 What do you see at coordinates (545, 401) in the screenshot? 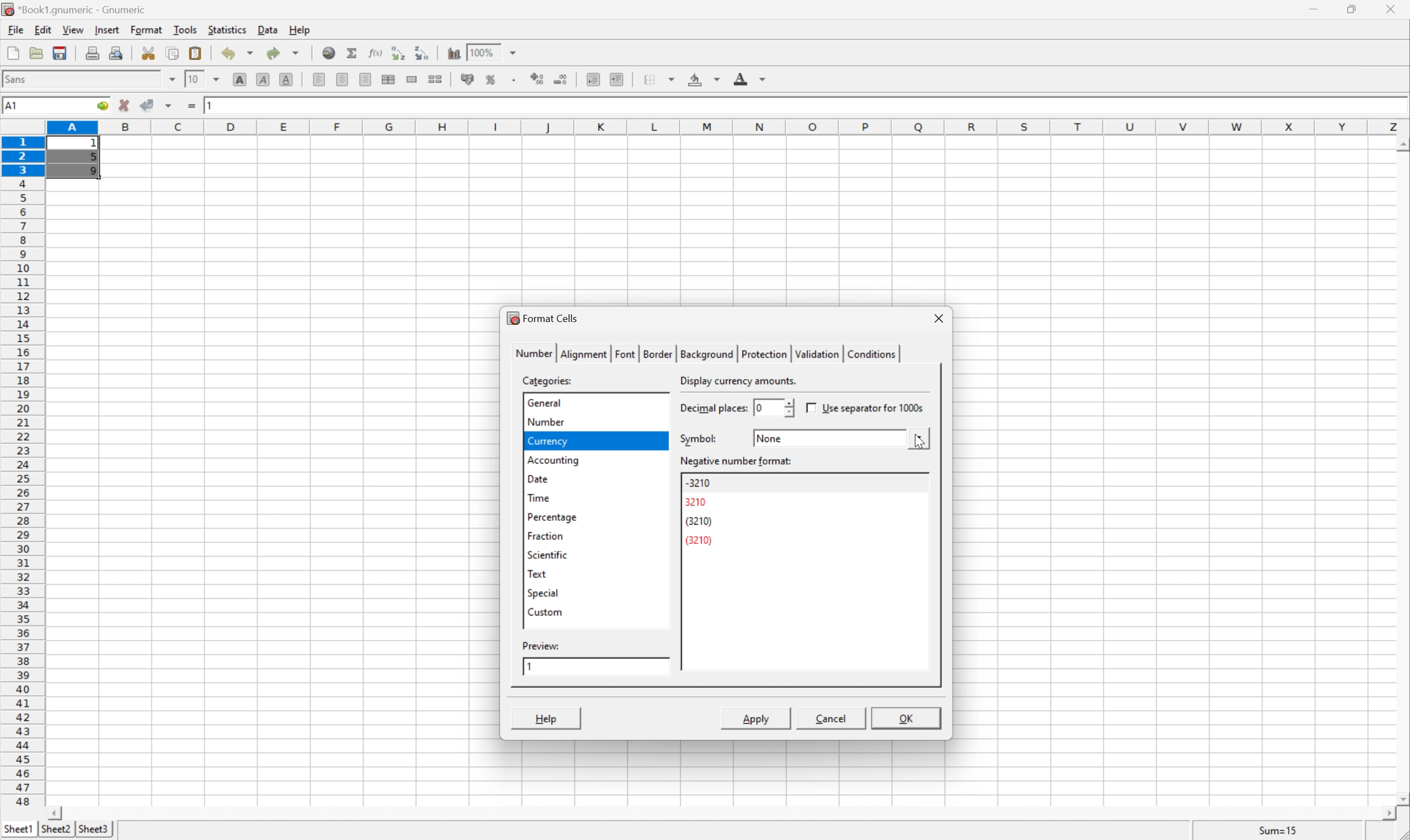
I see `general` at bounding box center [545, 401].